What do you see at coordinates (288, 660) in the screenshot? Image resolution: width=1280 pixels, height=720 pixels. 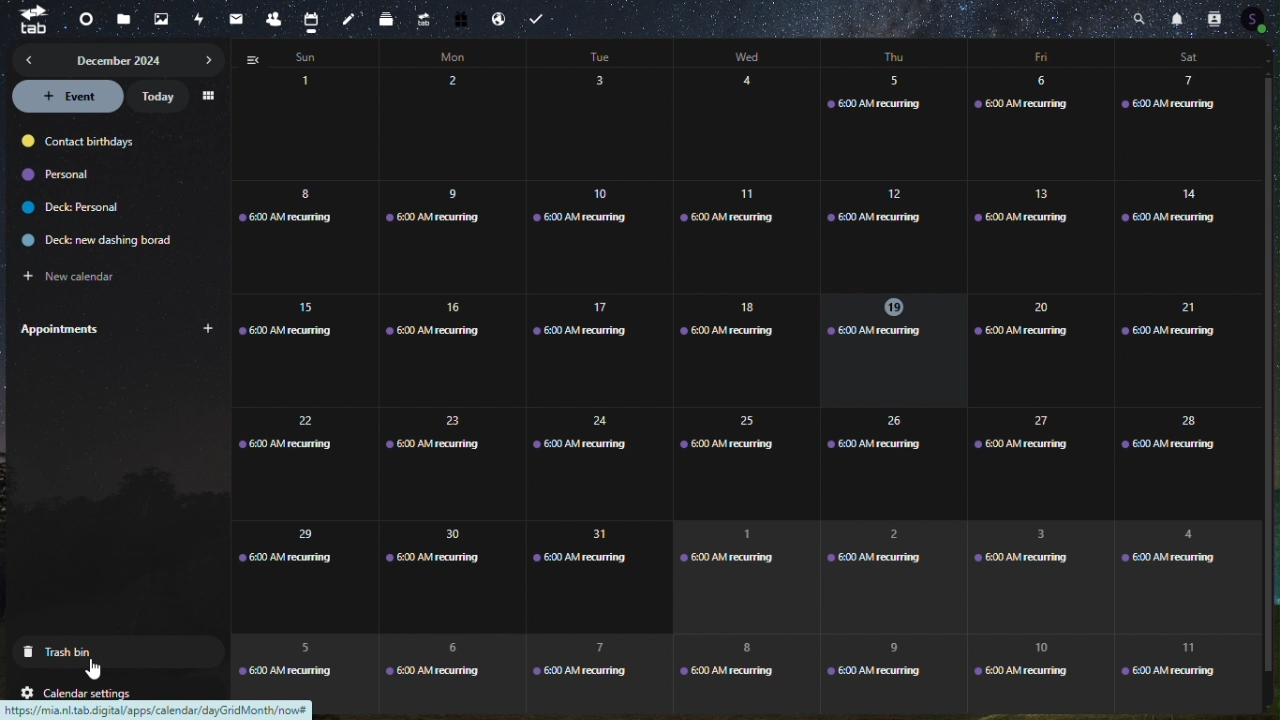 I see `5` at bounding box center [288, 660].